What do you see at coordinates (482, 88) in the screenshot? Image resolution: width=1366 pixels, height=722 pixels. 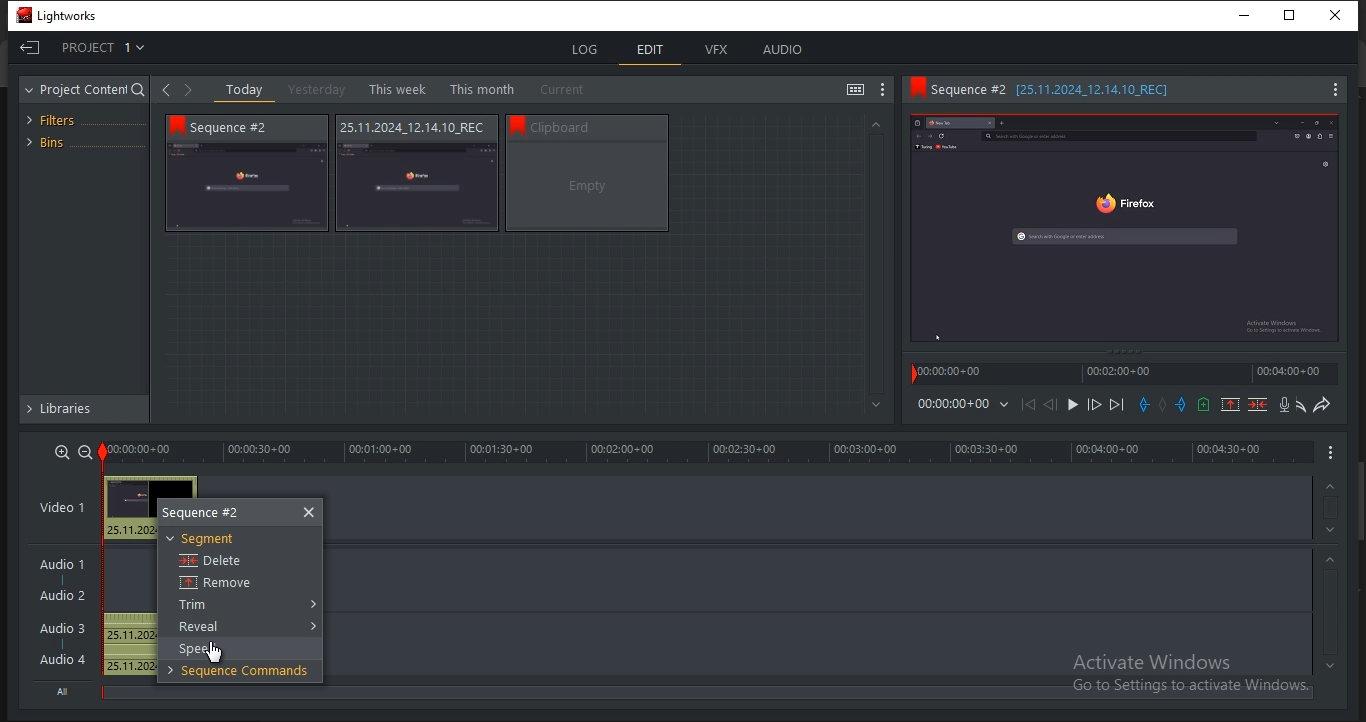 I see `this month` at bounding box center [482, 88].